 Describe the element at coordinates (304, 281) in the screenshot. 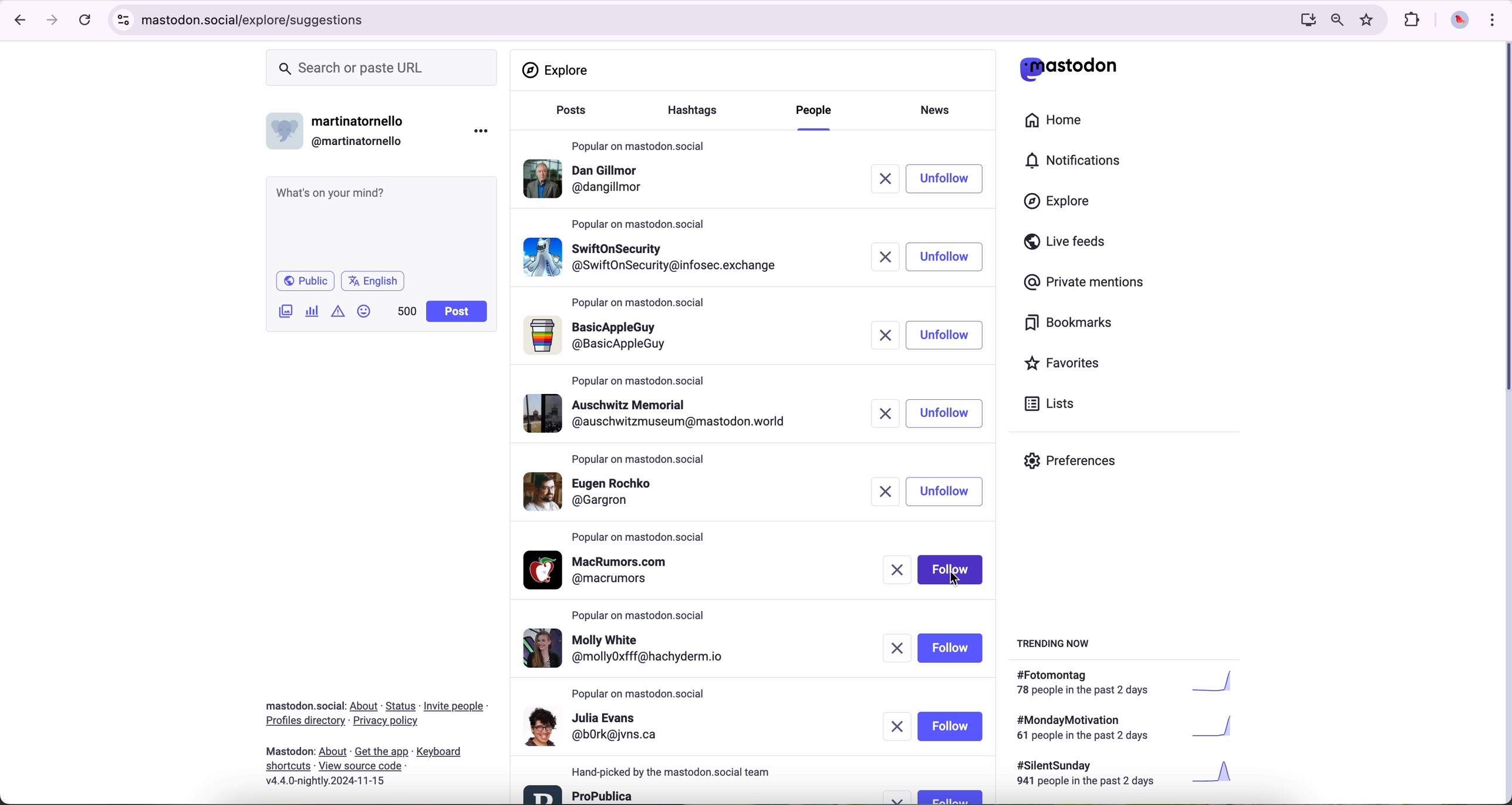

I see `public` at that location.